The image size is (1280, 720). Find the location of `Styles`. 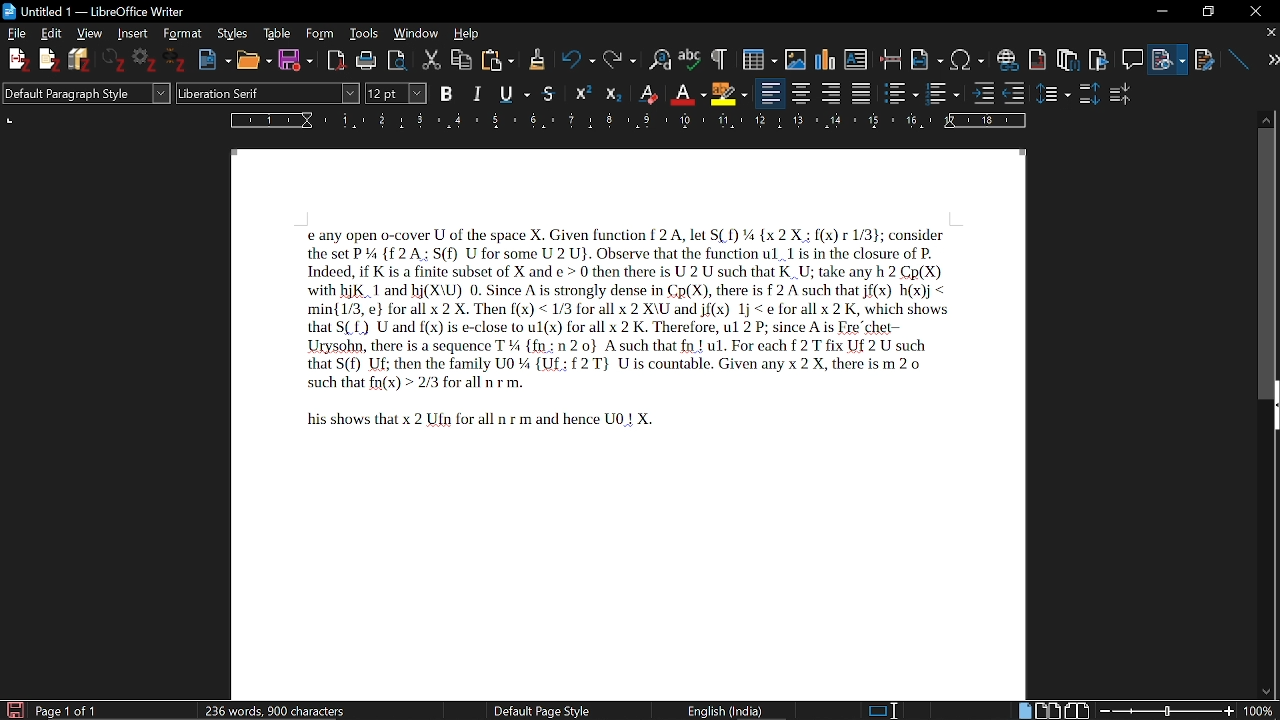

Styles is located at coordinates (231, 34).